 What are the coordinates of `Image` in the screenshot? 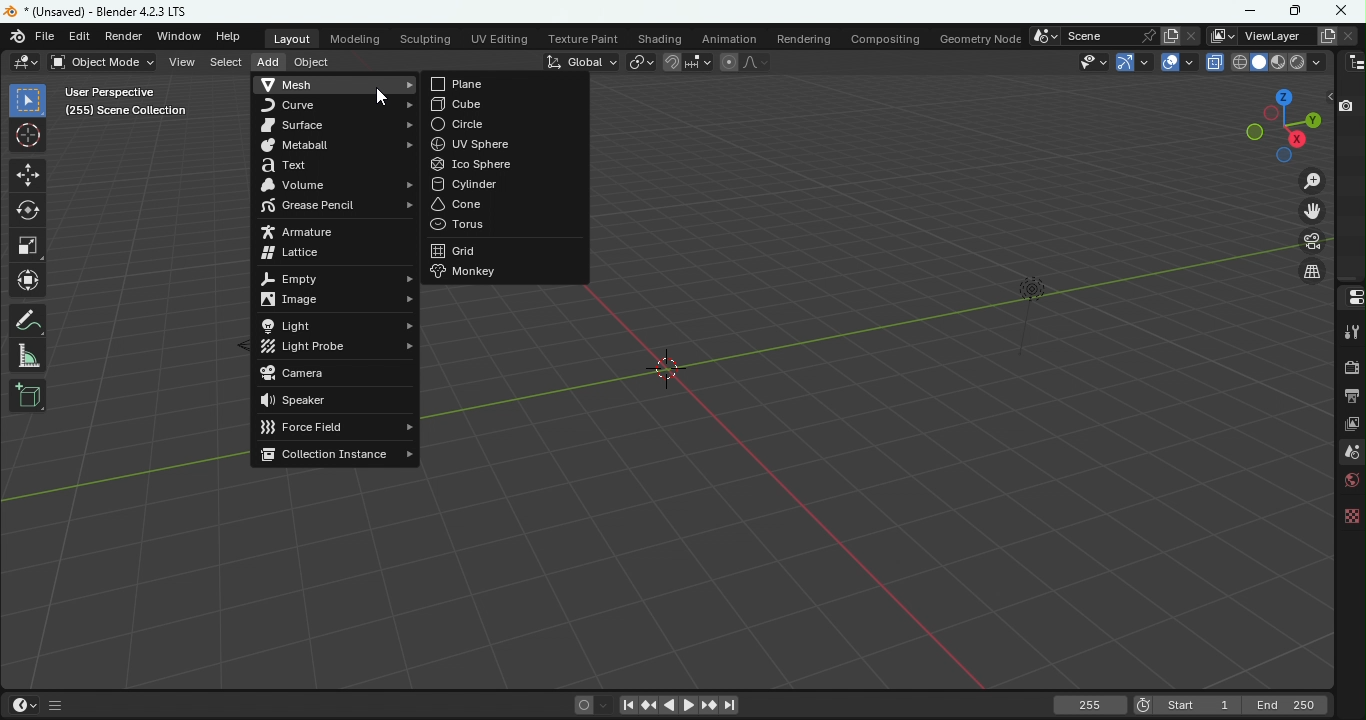 It's located at (338, 301).